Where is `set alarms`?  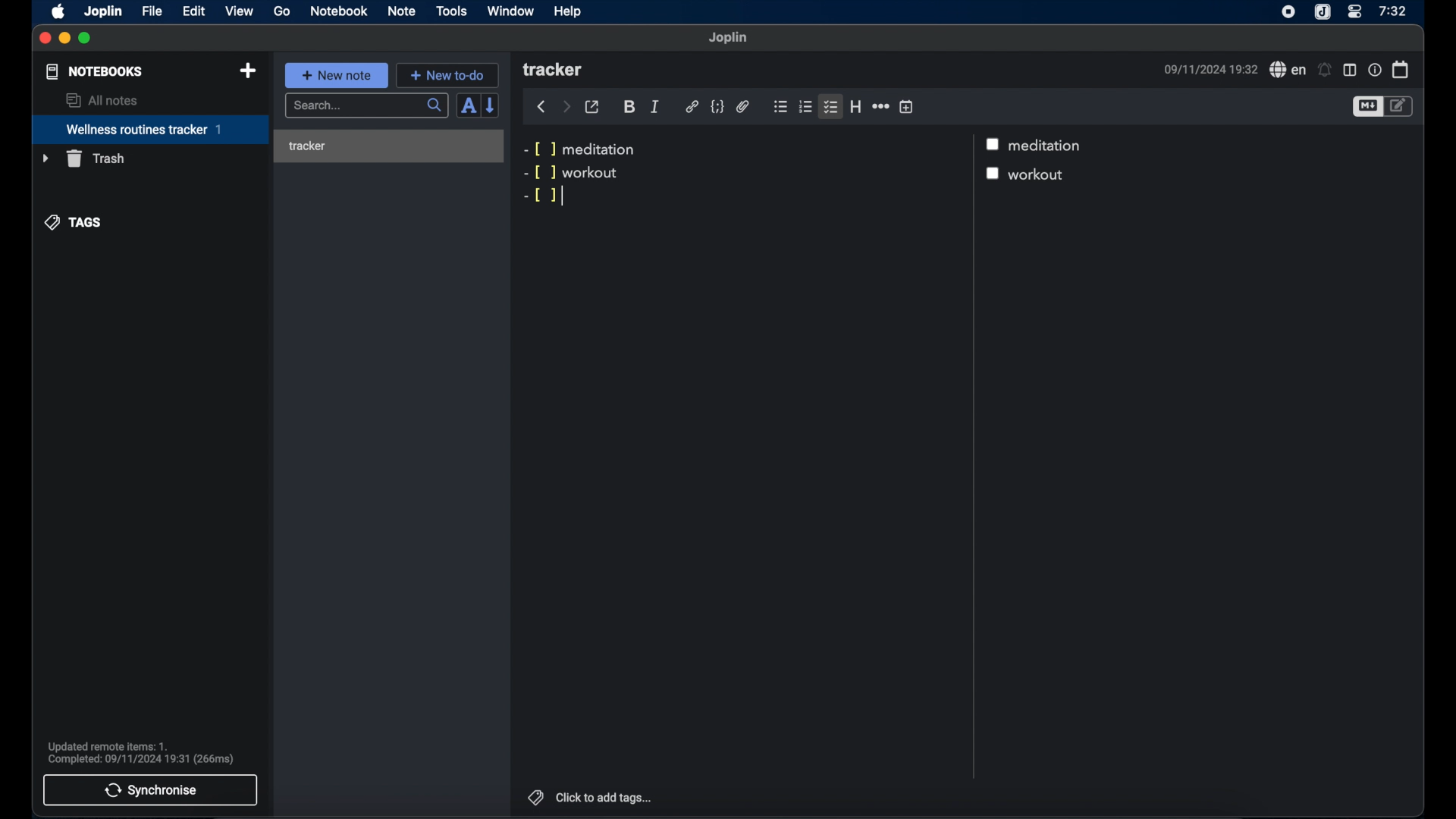
set alarms is located at coordinates (1325, 70).